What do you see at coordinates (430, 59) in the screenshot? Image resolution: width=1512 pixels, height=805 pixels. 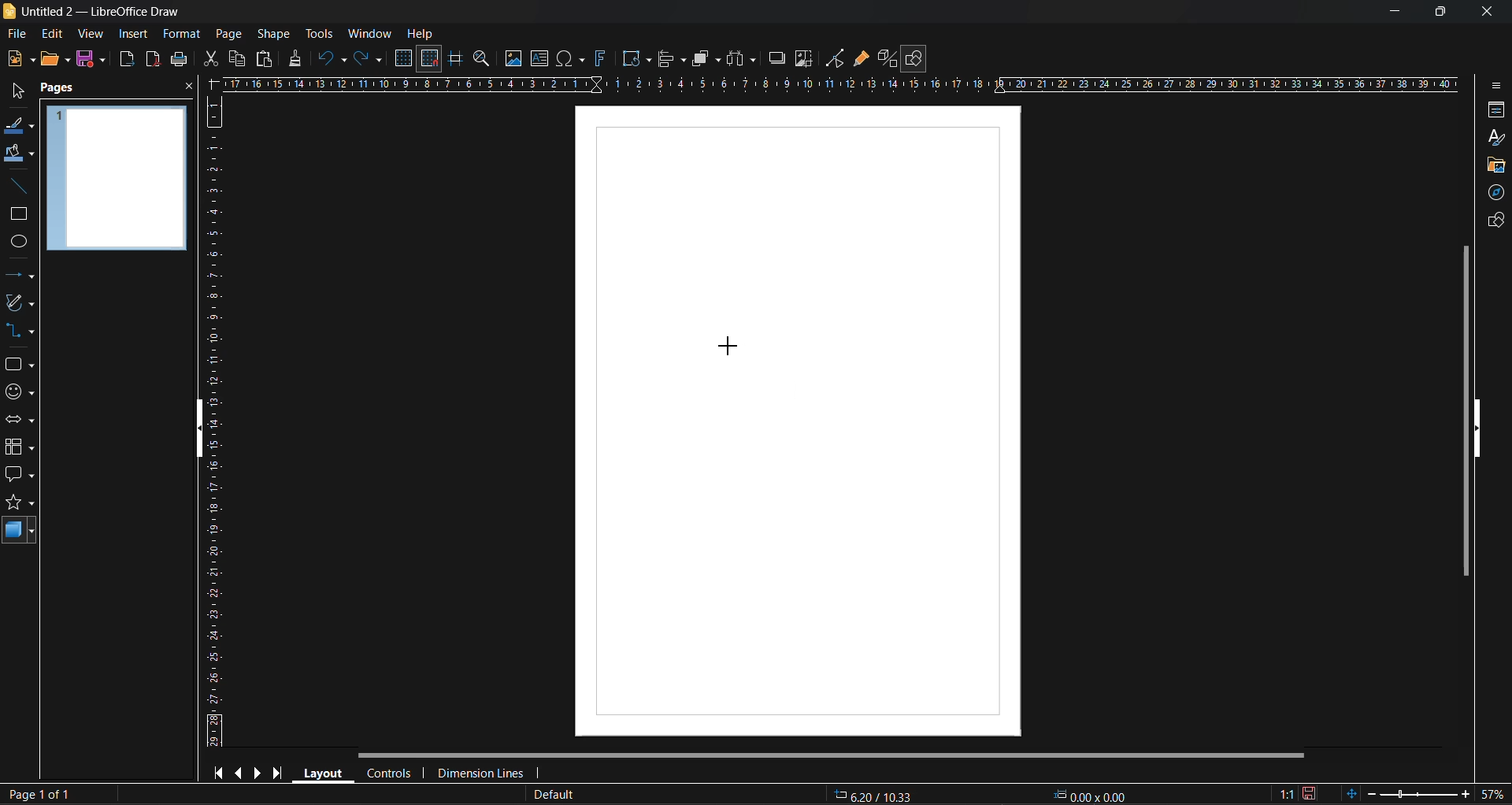 I see `snap to grid` at bounding box center [430, 59].